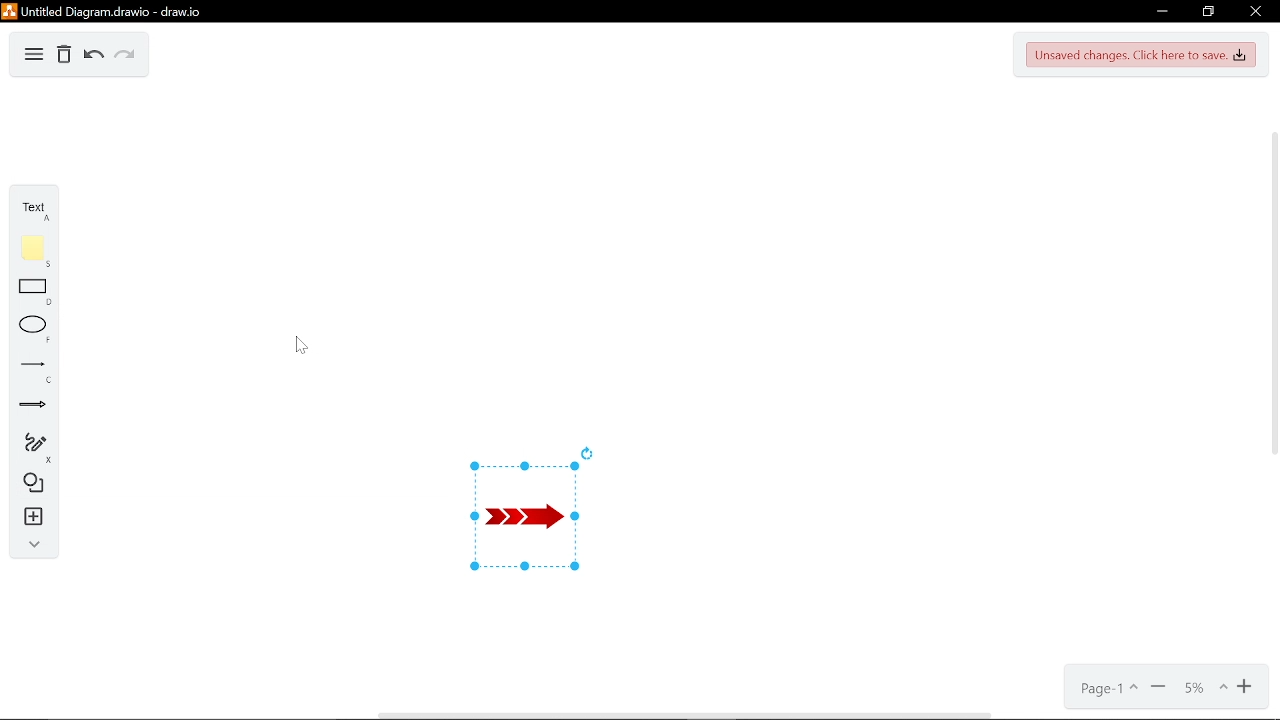 Image resolution: width=1280 pixels, height=720 pixels. Describe the element at coordinates (27, 329) in the screenshot. I see `Ellipse` at that location.